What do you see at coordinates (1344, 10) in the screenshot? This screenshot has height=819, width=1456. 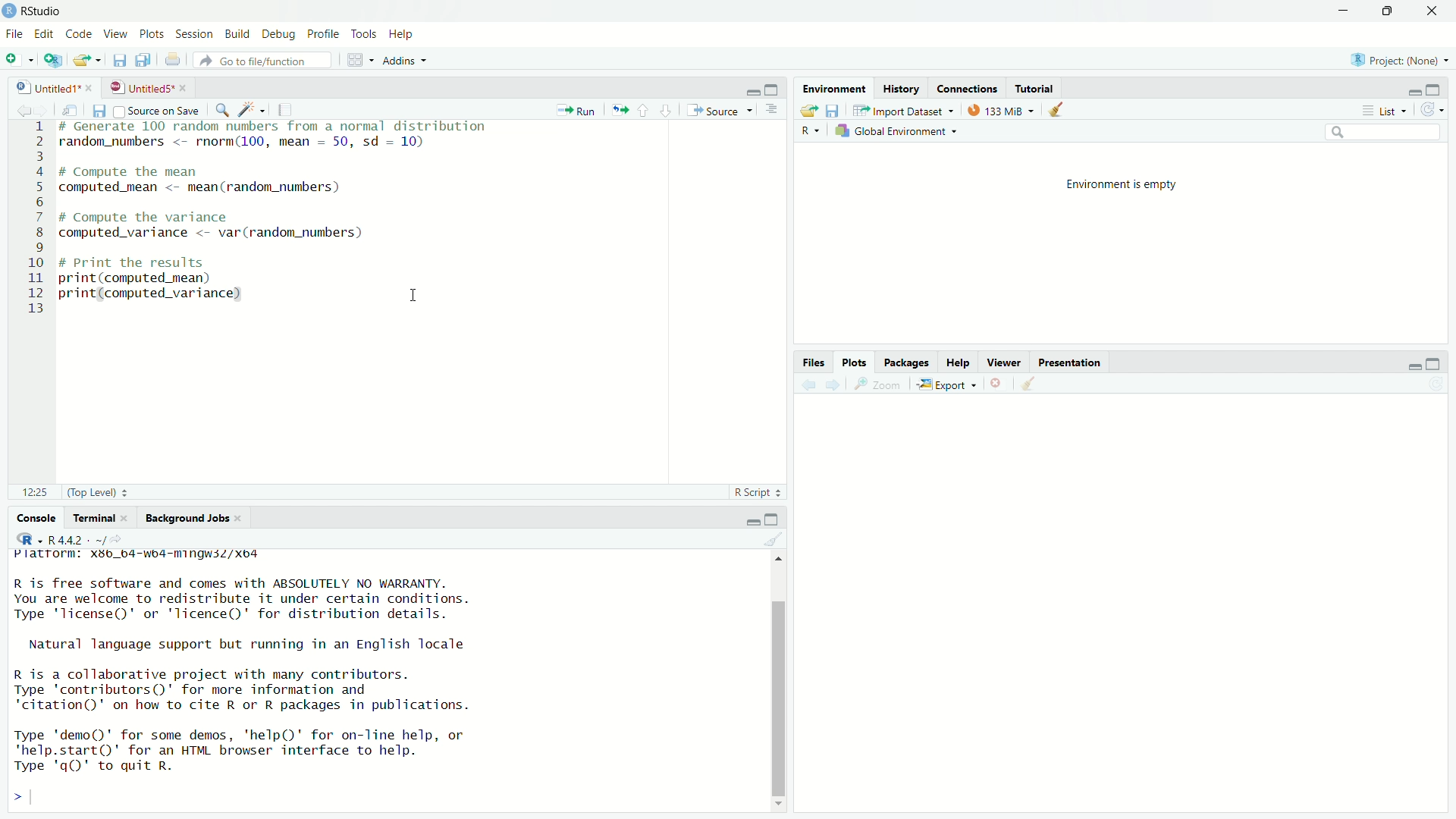 I see `minimize` at bounding box center [1344, 10].